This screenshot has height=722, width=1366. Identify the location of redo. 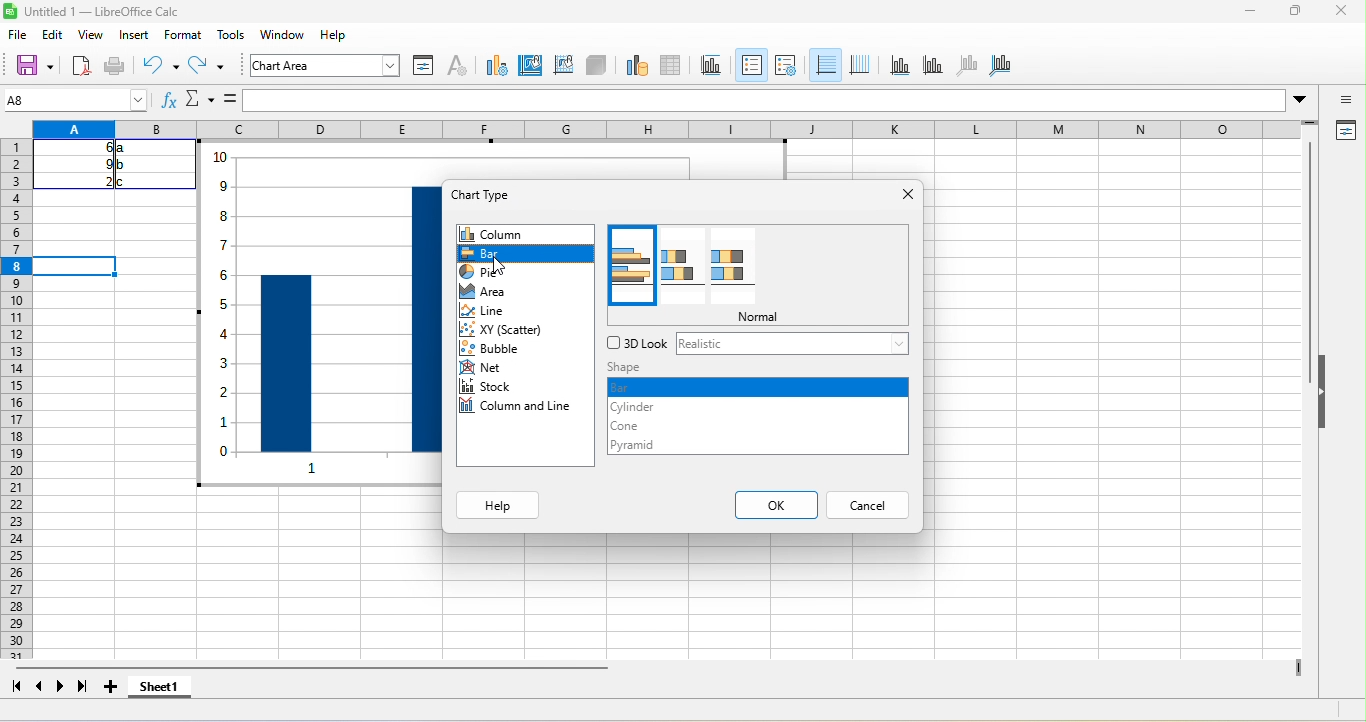
(208, 66).